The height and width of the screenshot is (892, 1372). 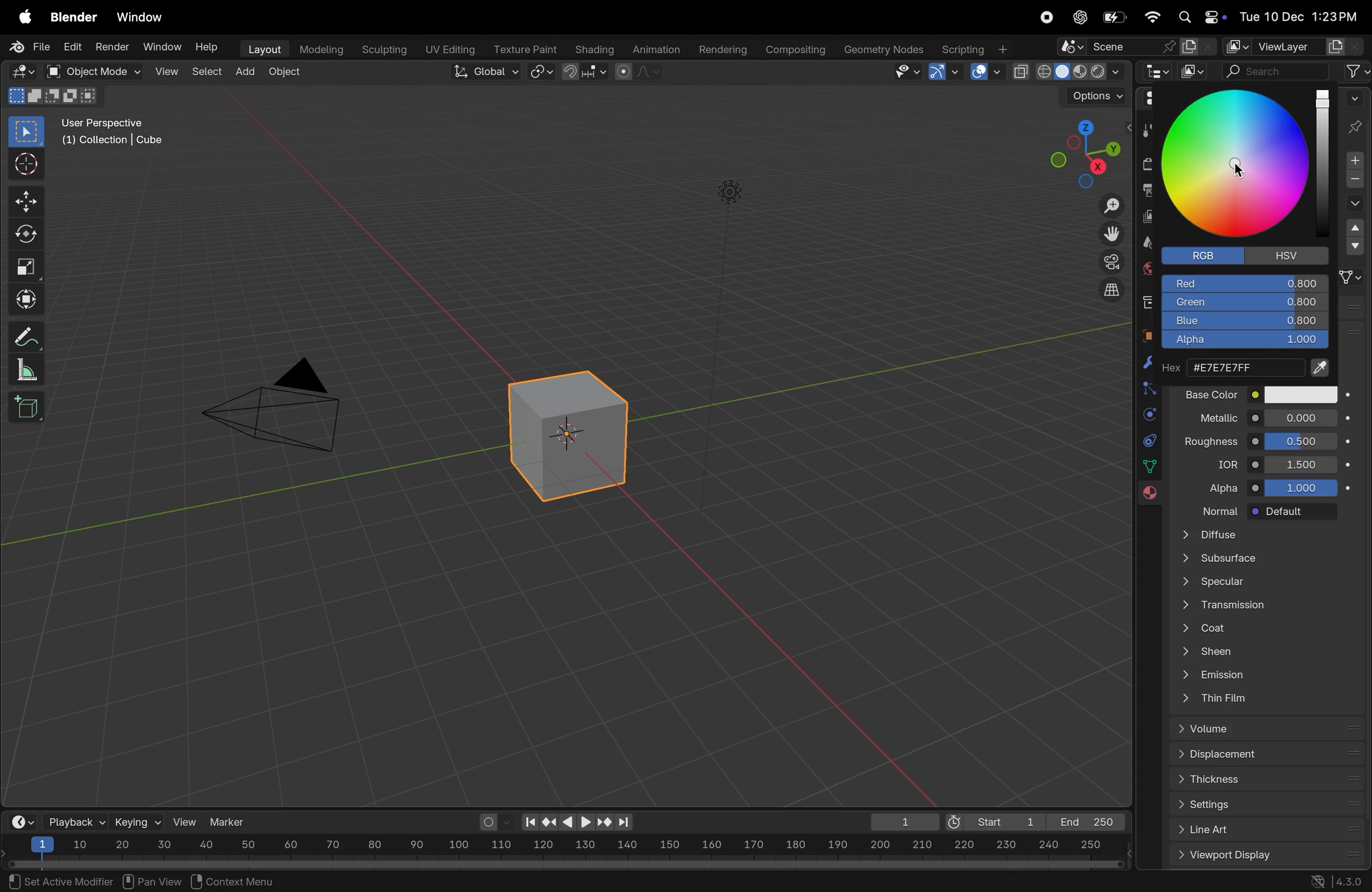 I want to click on physics, so click(x=1148, y=415).